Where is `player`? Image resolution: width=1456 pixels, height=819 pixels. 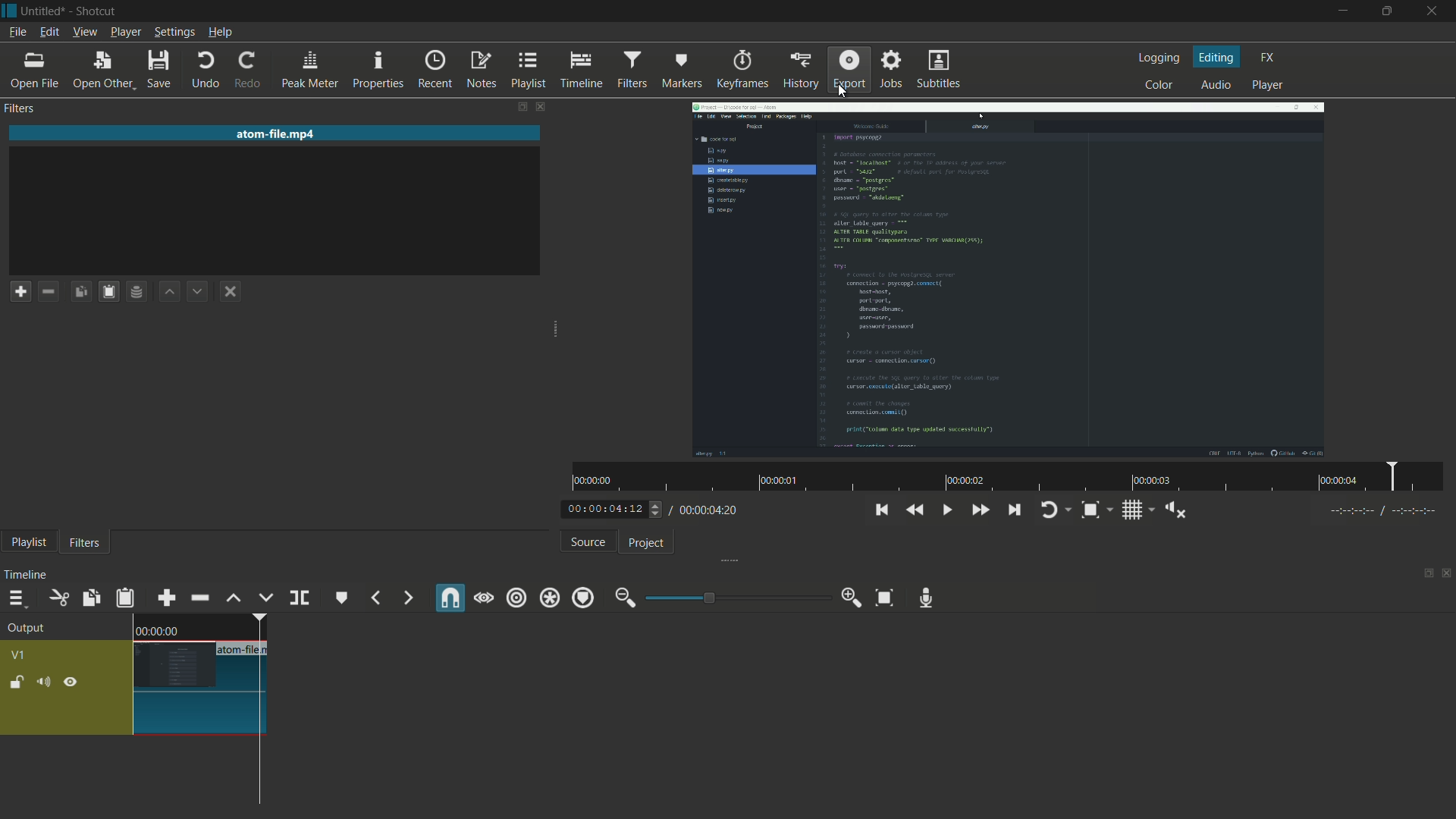 player is located at coordinates (1268, 85).